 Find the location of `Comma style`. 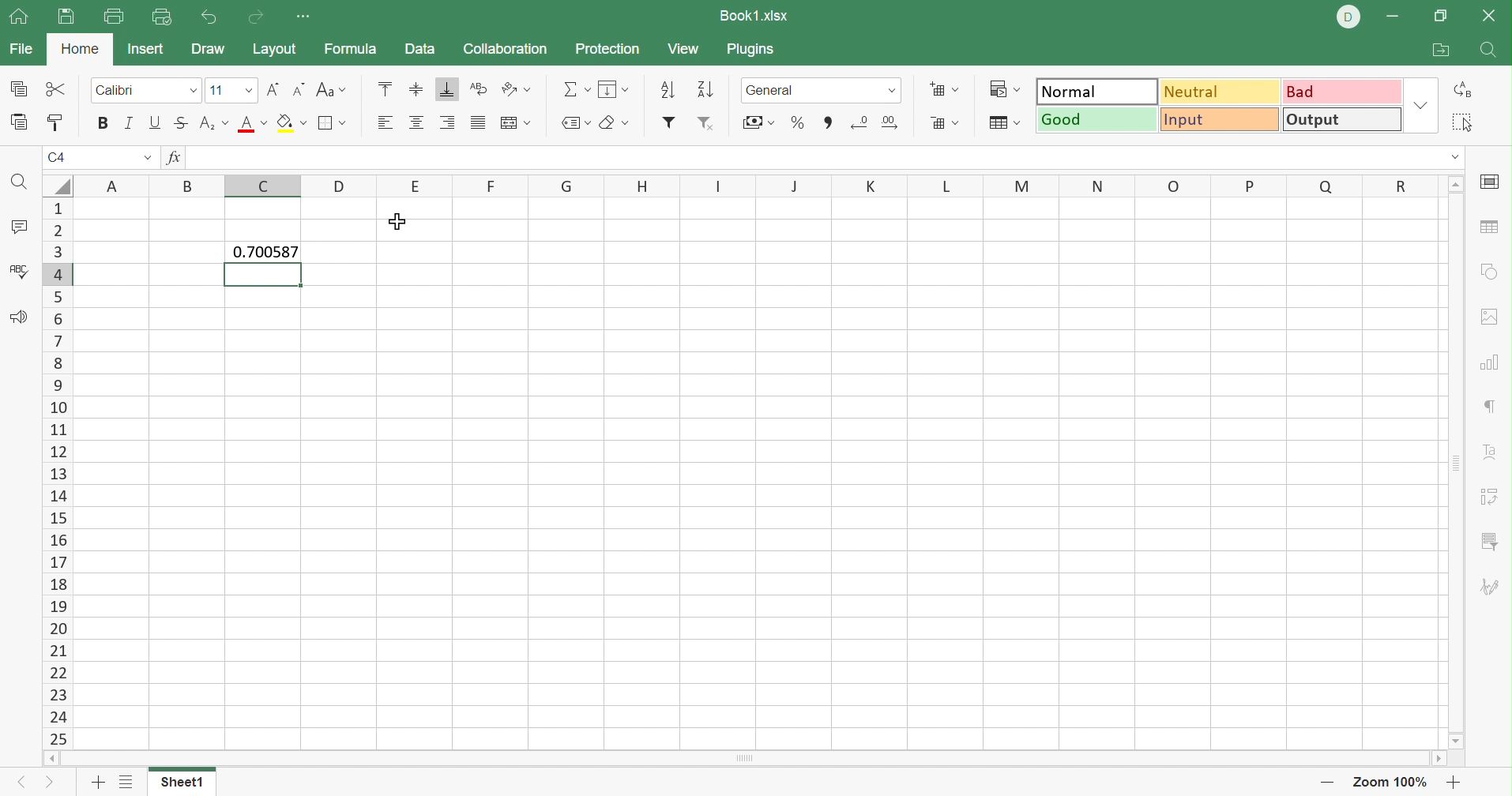

Comma style is located at coordinates (828, 123).